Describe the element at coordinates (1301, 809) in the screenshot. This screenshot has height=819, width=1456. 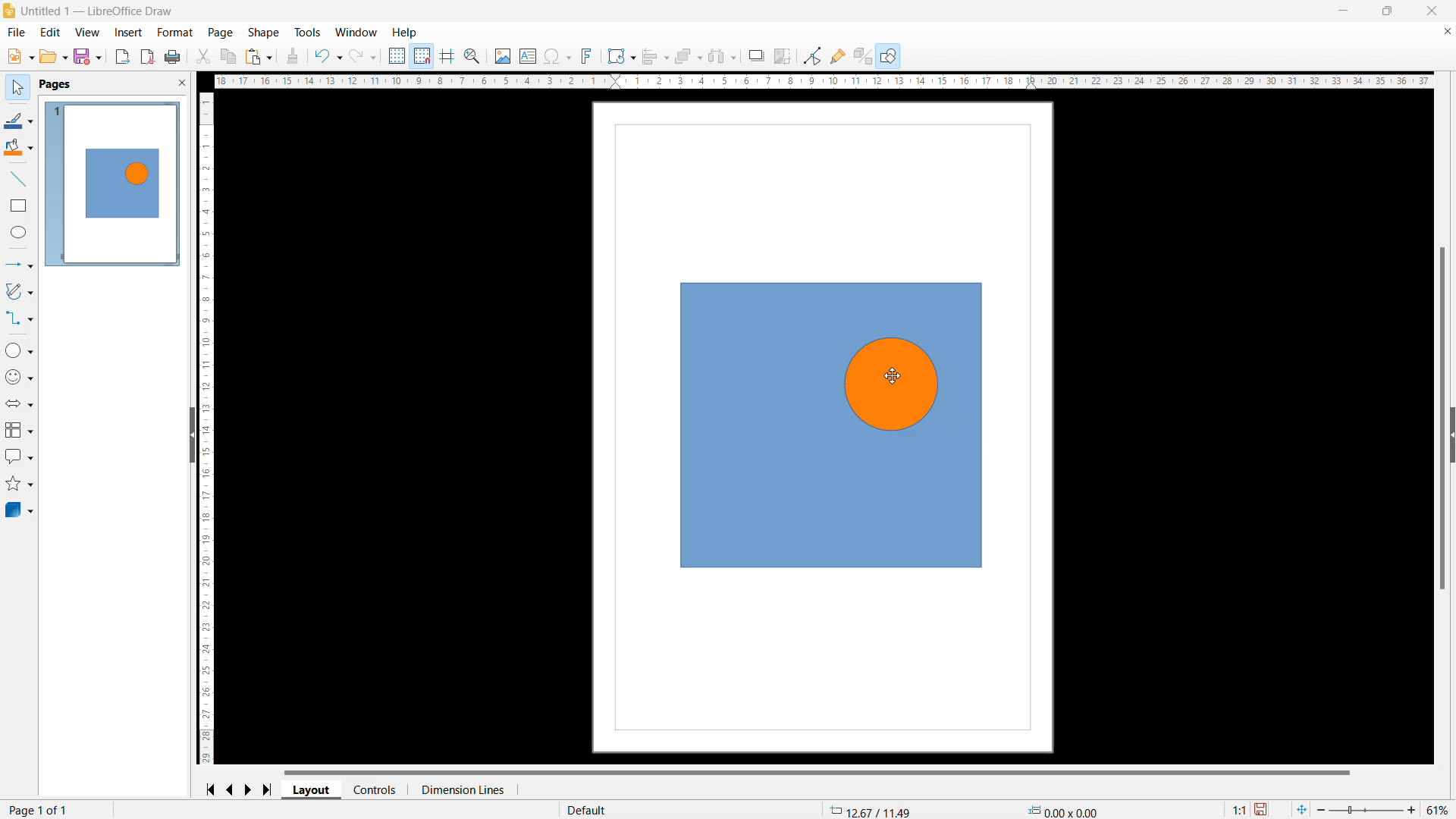
I see `fit to current window` at that location.